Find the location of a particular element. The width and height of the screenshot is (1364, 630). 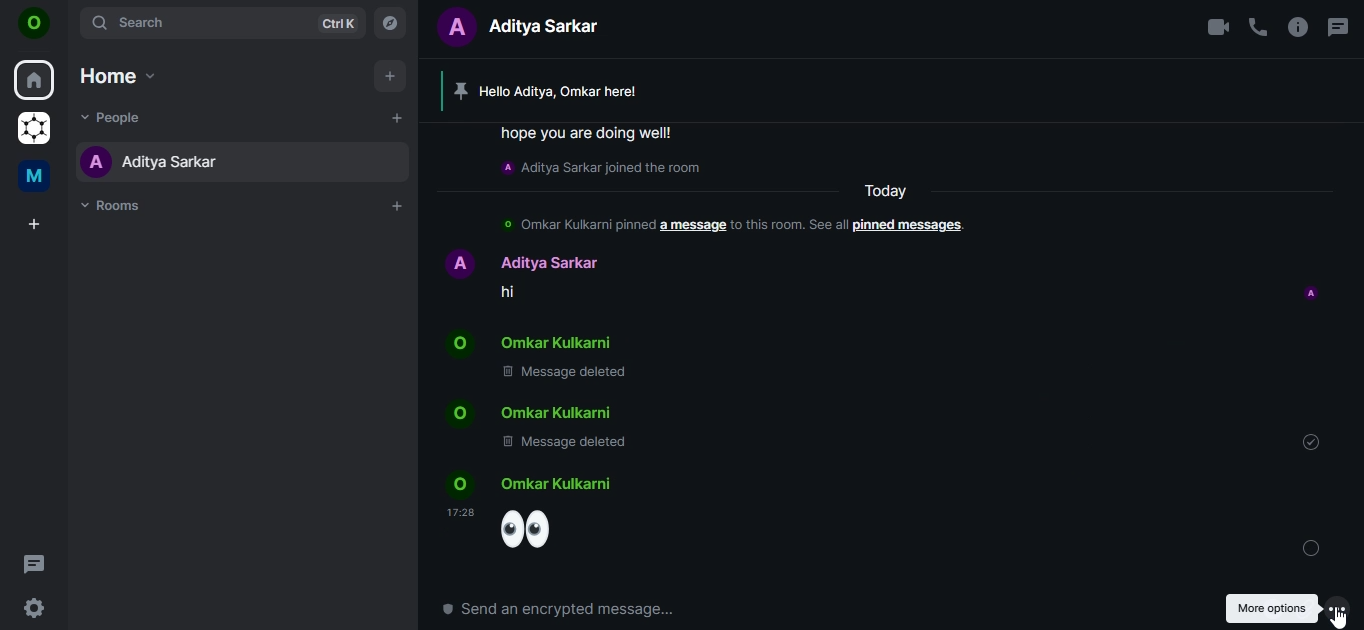

cursor is located at coordinates (1340, 618).